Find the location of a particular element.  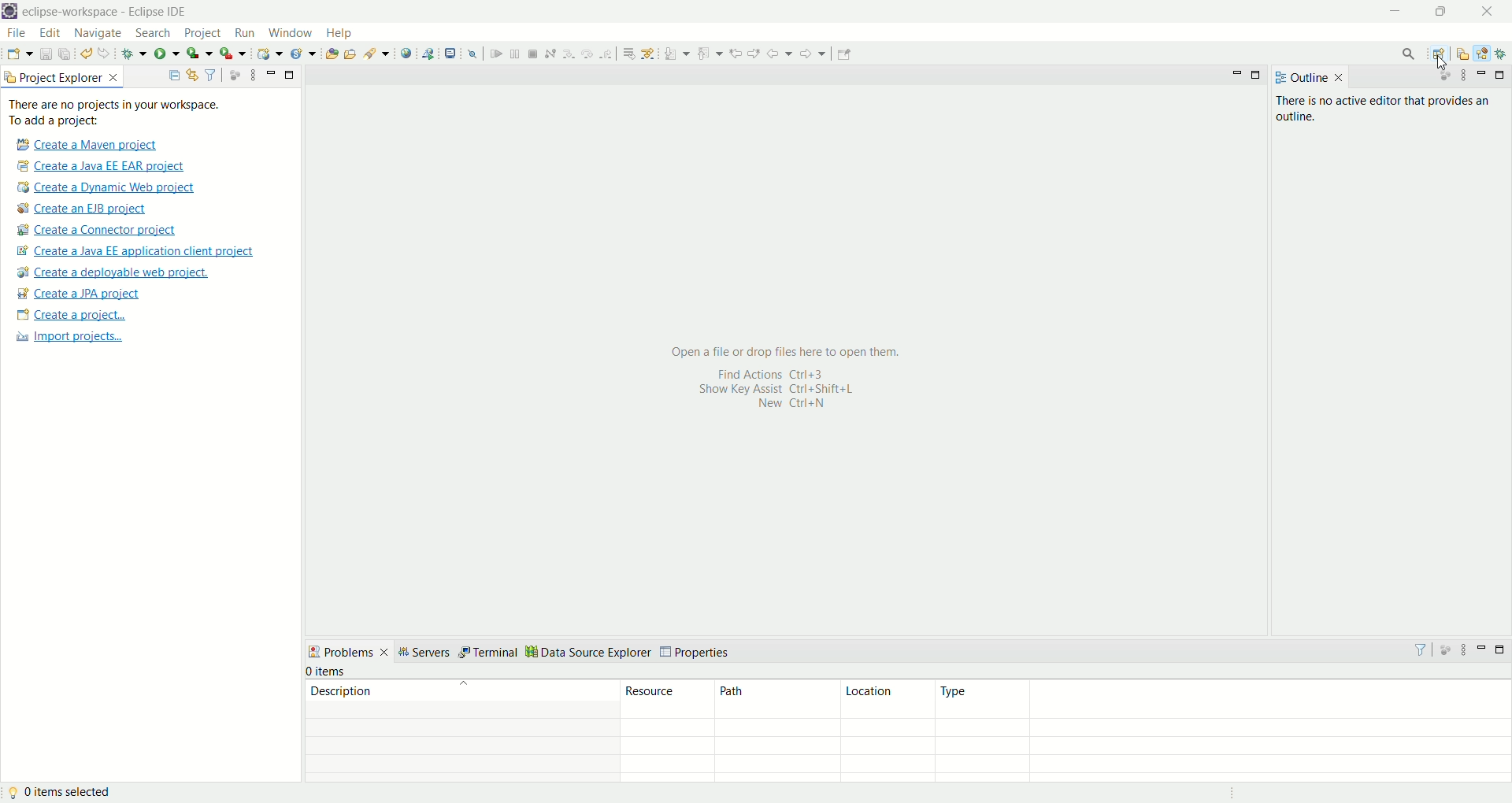

debug is located at coordinates (135, 54).